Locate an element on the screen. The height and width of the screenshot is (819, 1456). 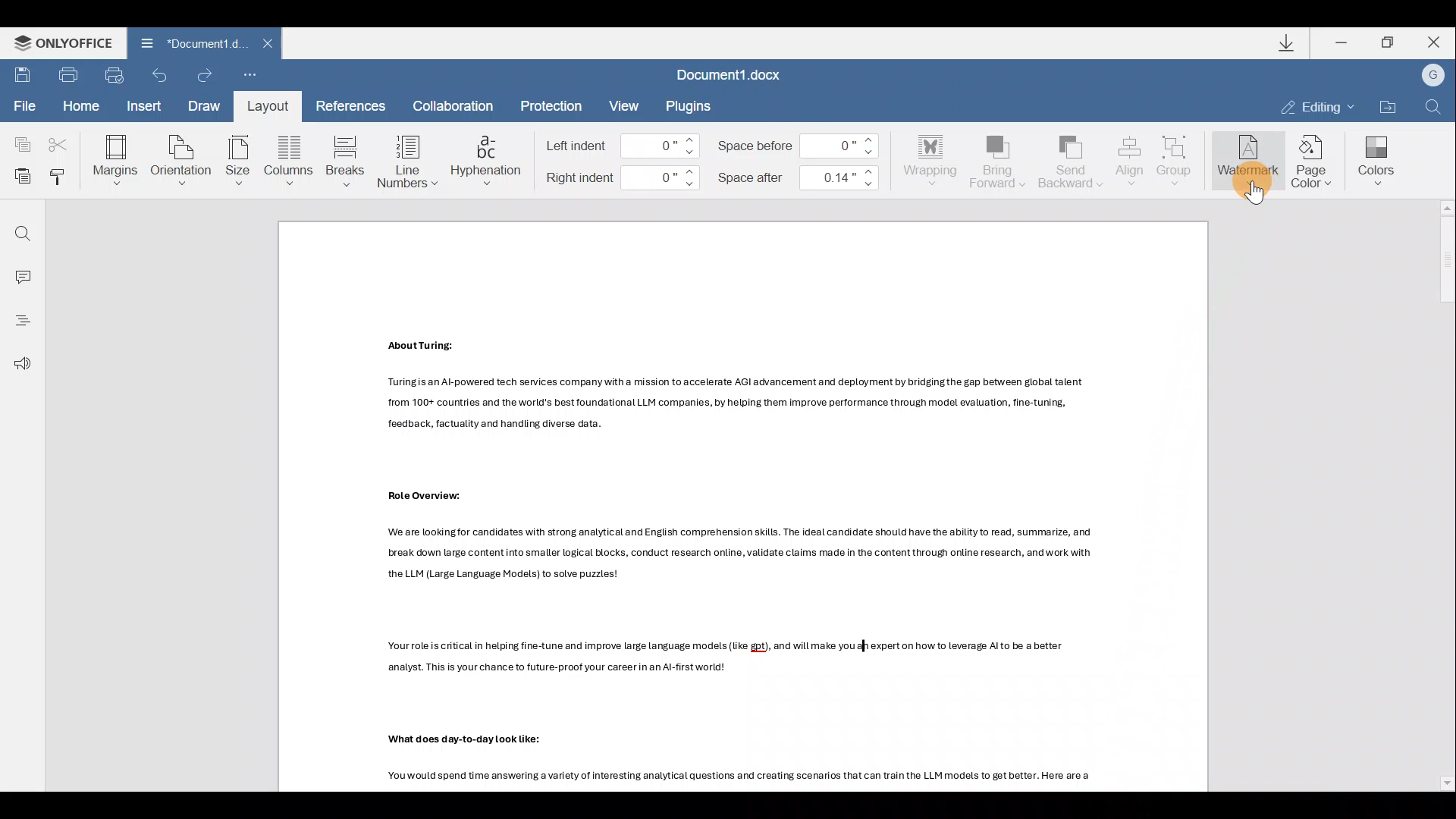
Redo is located at coordinates (202, 74).